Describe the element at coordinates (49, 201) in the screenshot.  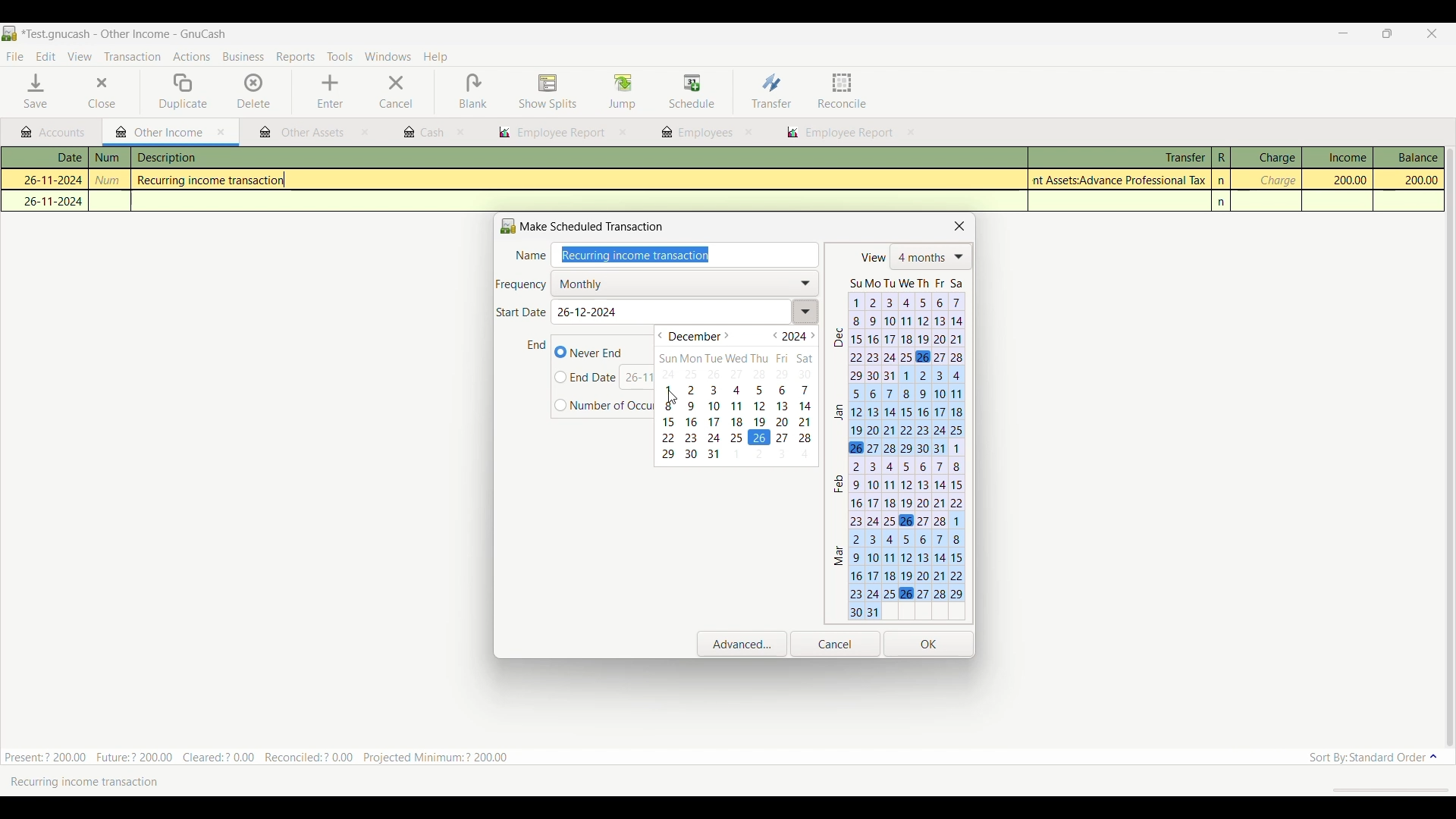
I see `26-11-2024` at that location.